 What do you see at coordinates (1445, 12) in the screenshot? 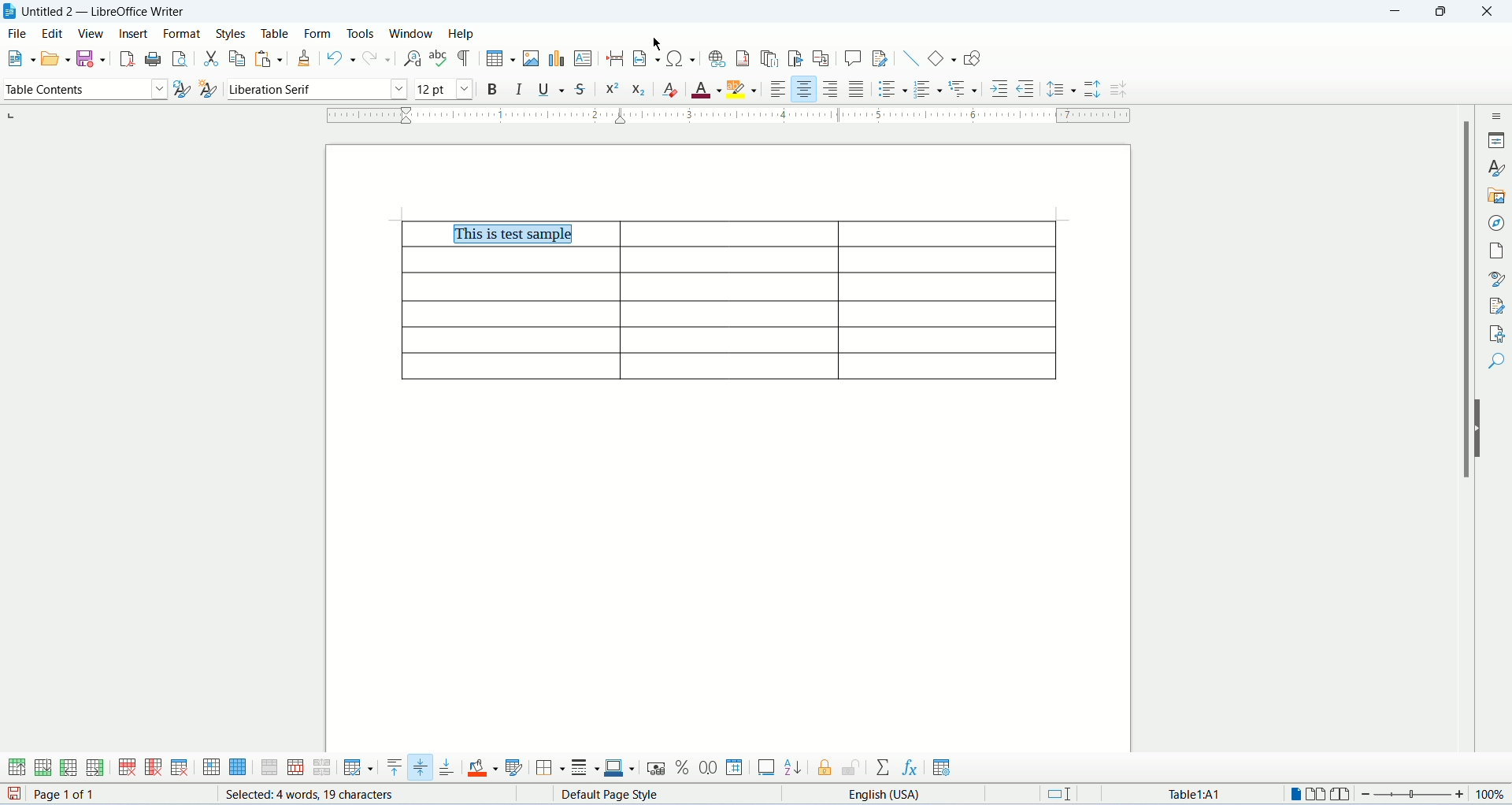
I see `maximize` at bounding box center [1445, 12].